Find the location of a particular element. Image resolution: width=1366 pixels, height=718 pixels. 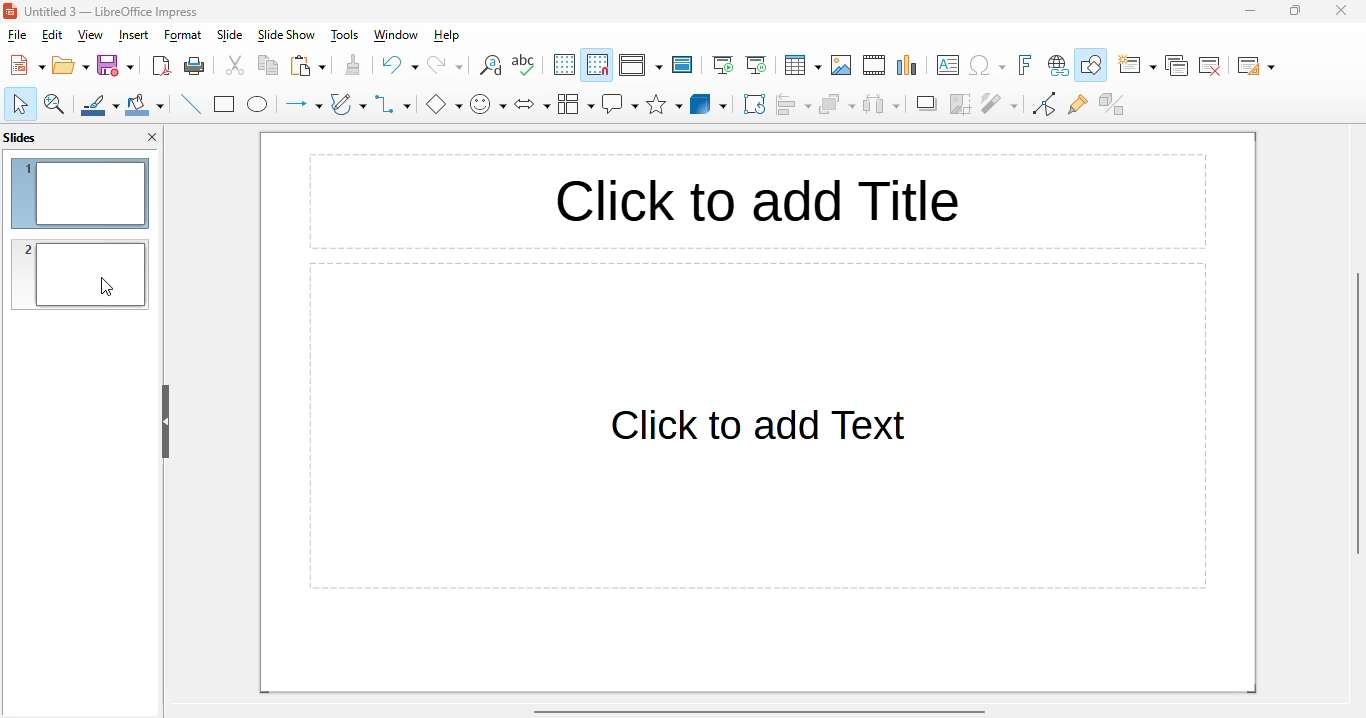

Untitle 3 -LibreOffice Impress is located at coordinates (111, 11).